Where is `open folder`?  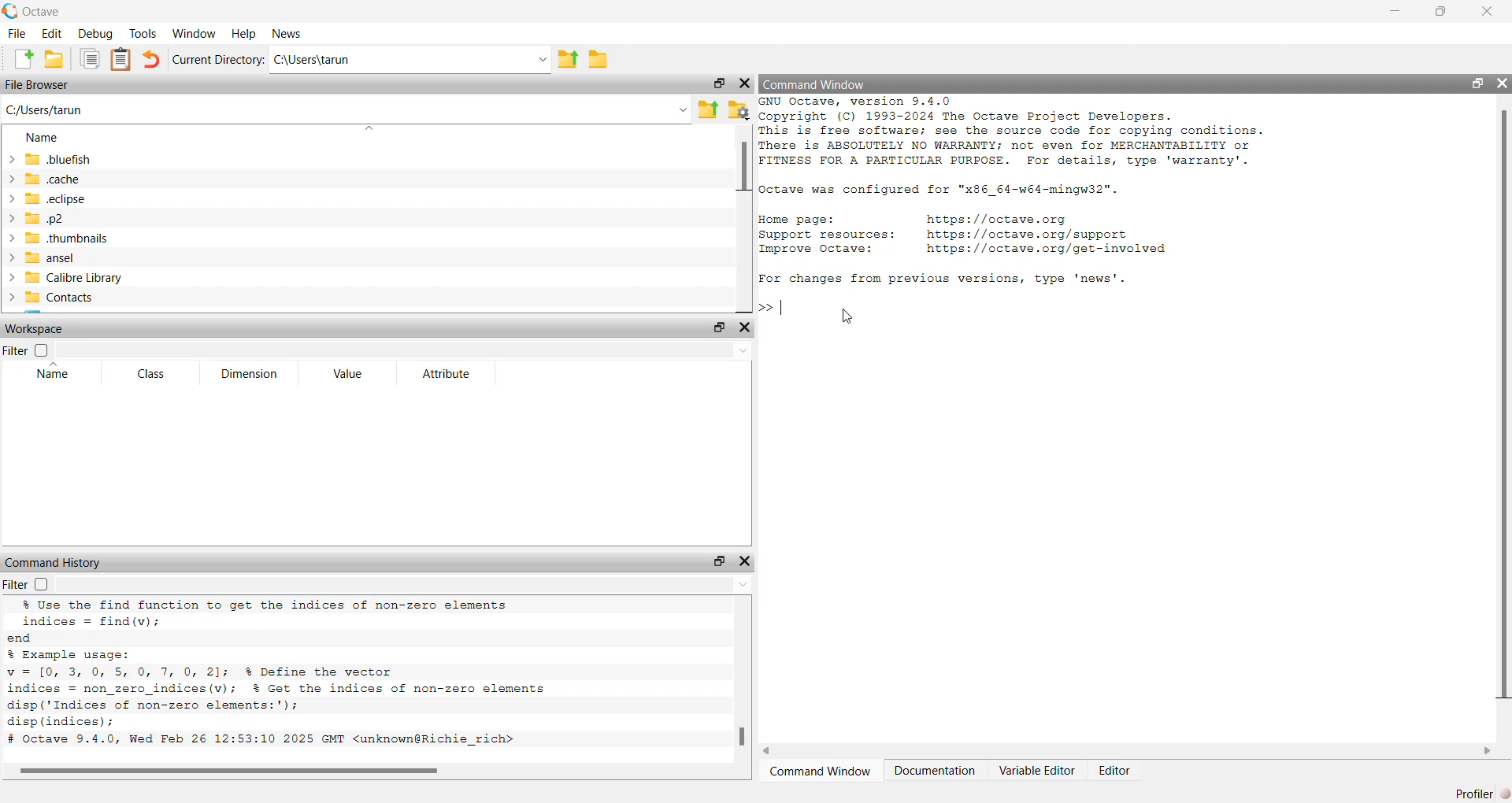 open folder is located at coordinates (58, 61).